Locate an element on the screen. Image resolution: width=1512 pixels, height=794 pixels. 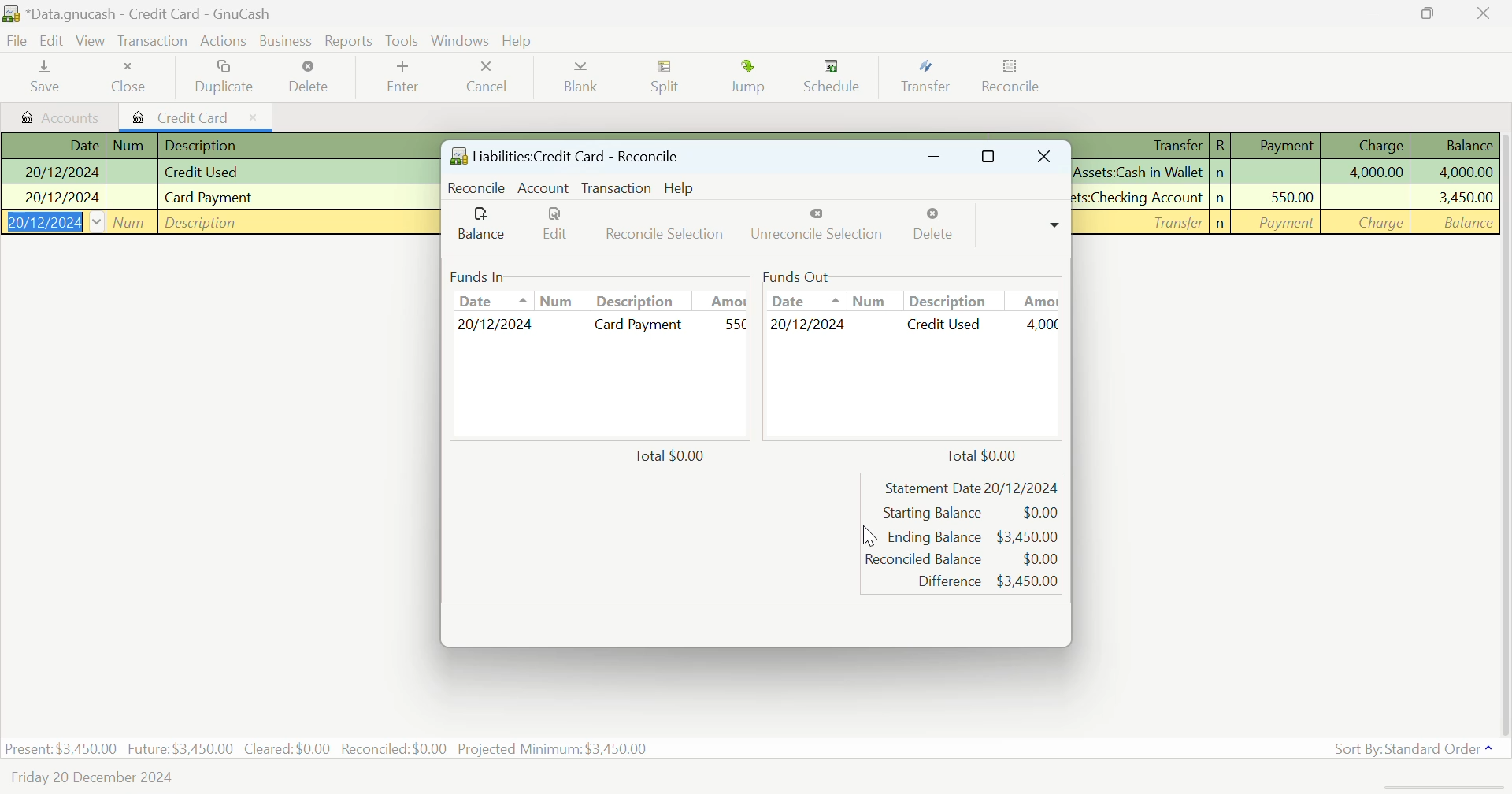
Card Payment Transaction is located at coordinates (219, 198).